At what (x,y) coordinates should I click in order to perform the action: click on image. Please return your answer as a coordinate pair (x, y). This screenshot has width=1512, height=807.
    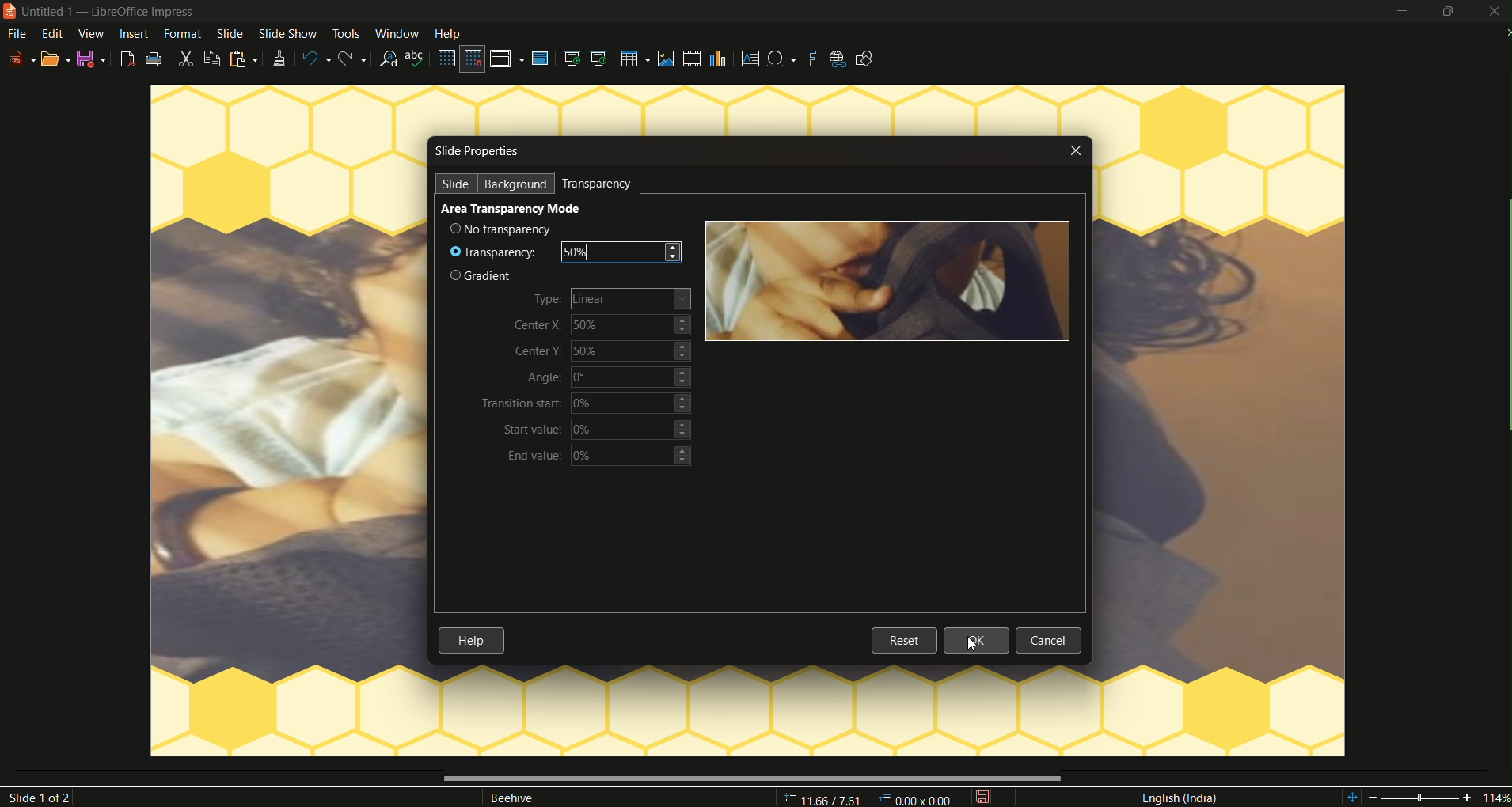
    Looking at the image, I should click on (887, 282).